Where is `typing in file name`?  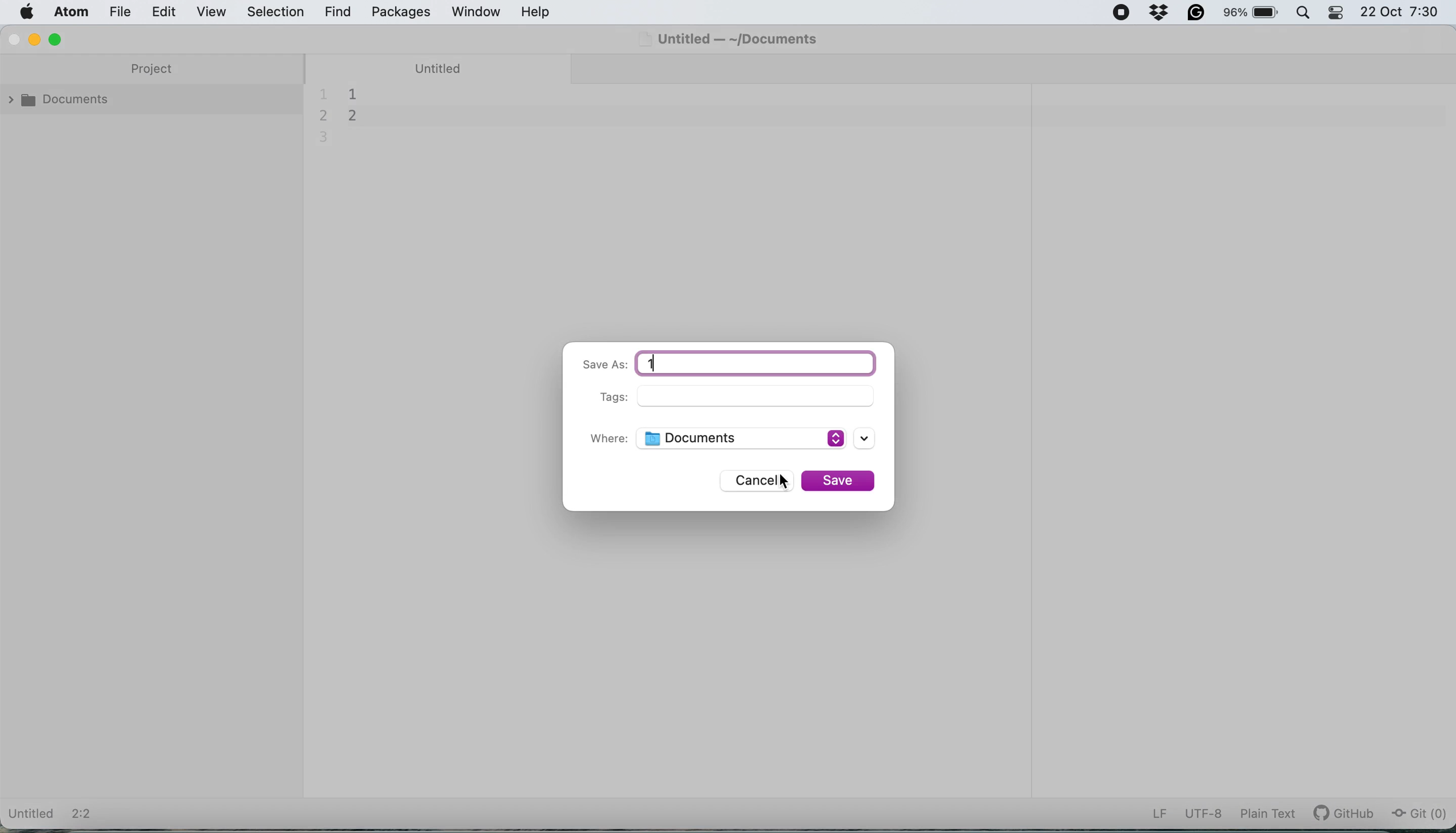 typing in file name is located at coordinates (757, 363).